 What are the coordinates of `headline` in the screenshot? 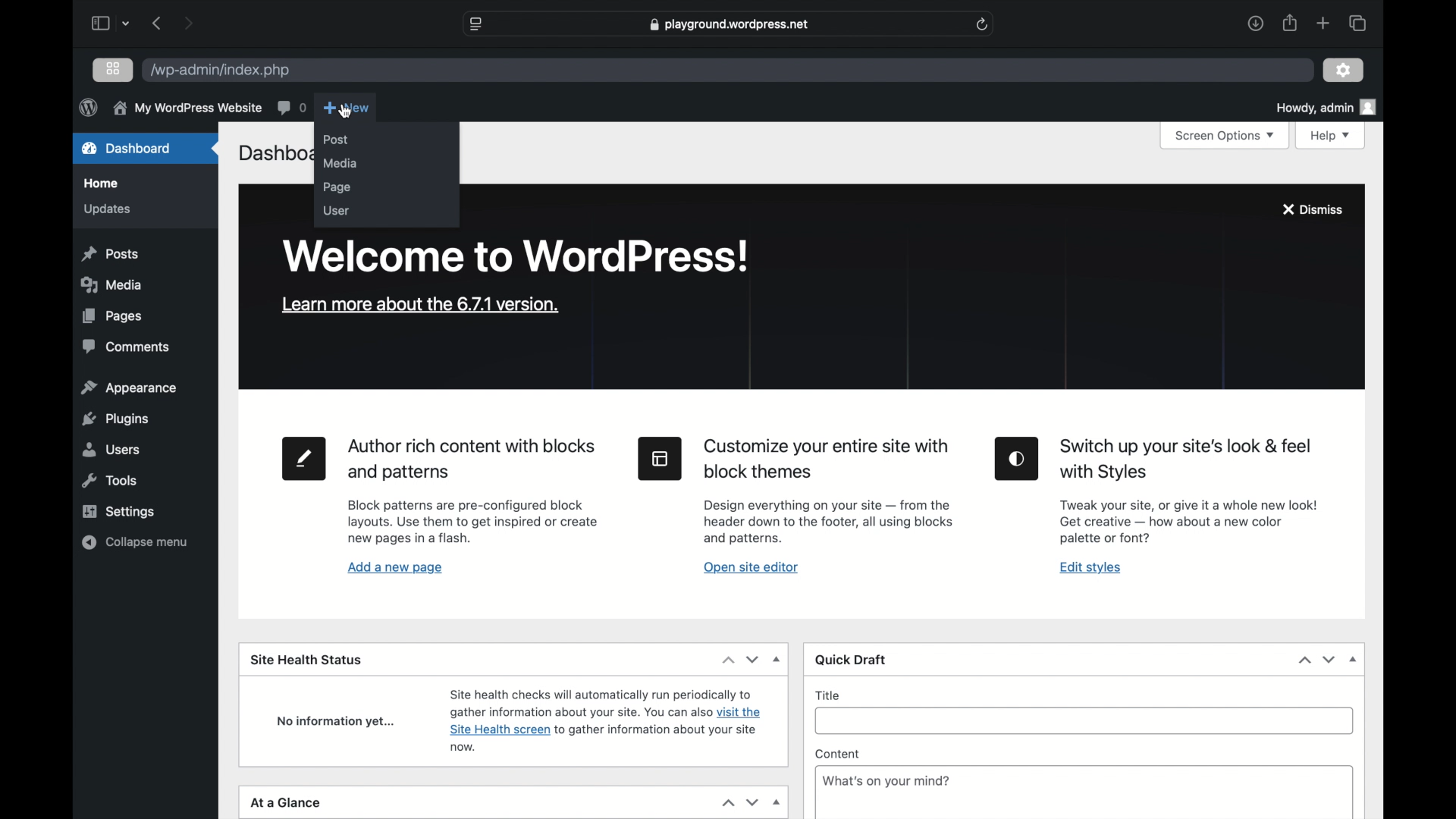 It's located at (827, 459).